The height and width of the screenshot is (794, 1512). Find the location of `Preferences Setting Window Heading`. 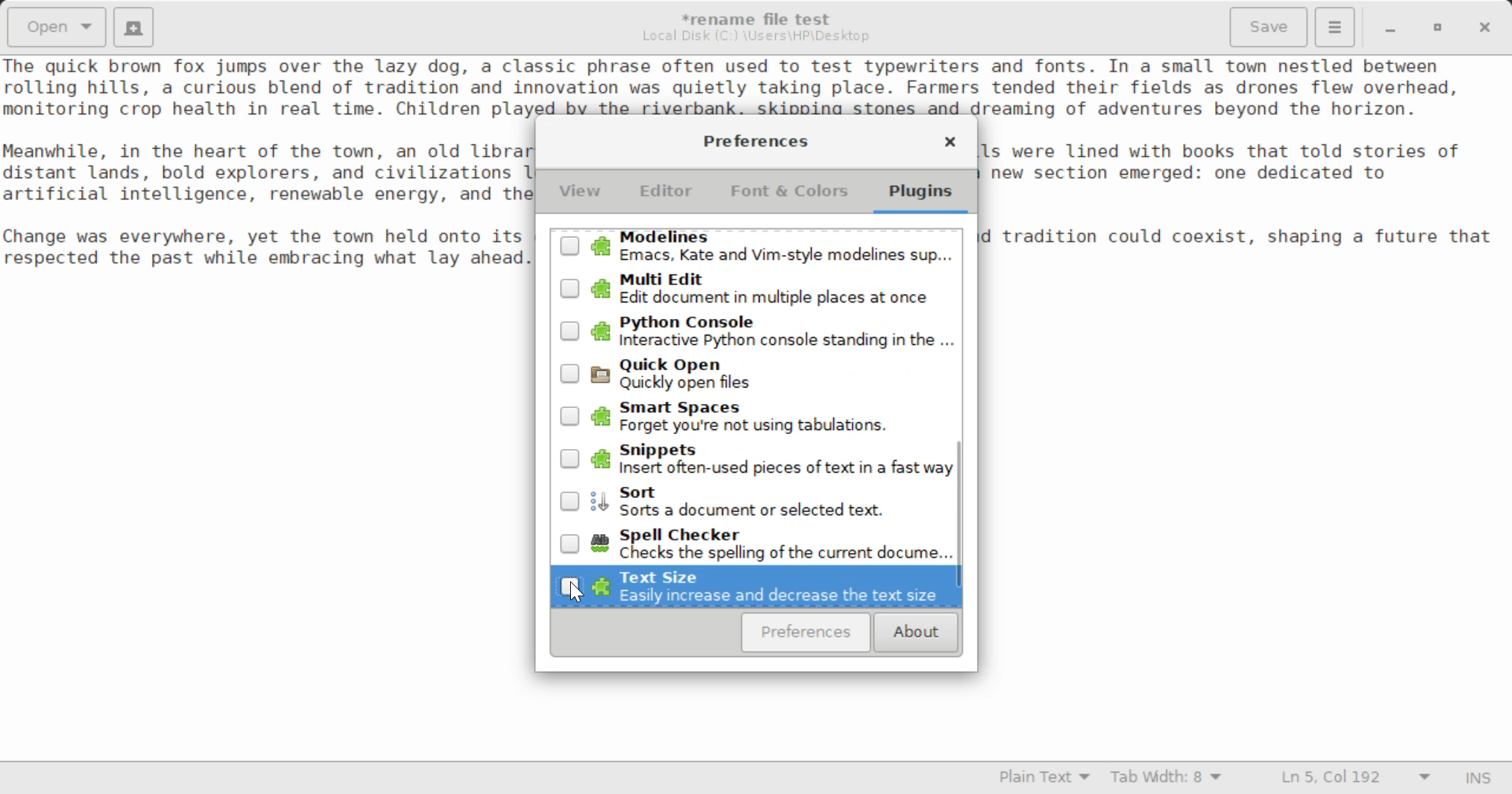

Preferences Setting Window Heading is located at coordinates (755, 141).